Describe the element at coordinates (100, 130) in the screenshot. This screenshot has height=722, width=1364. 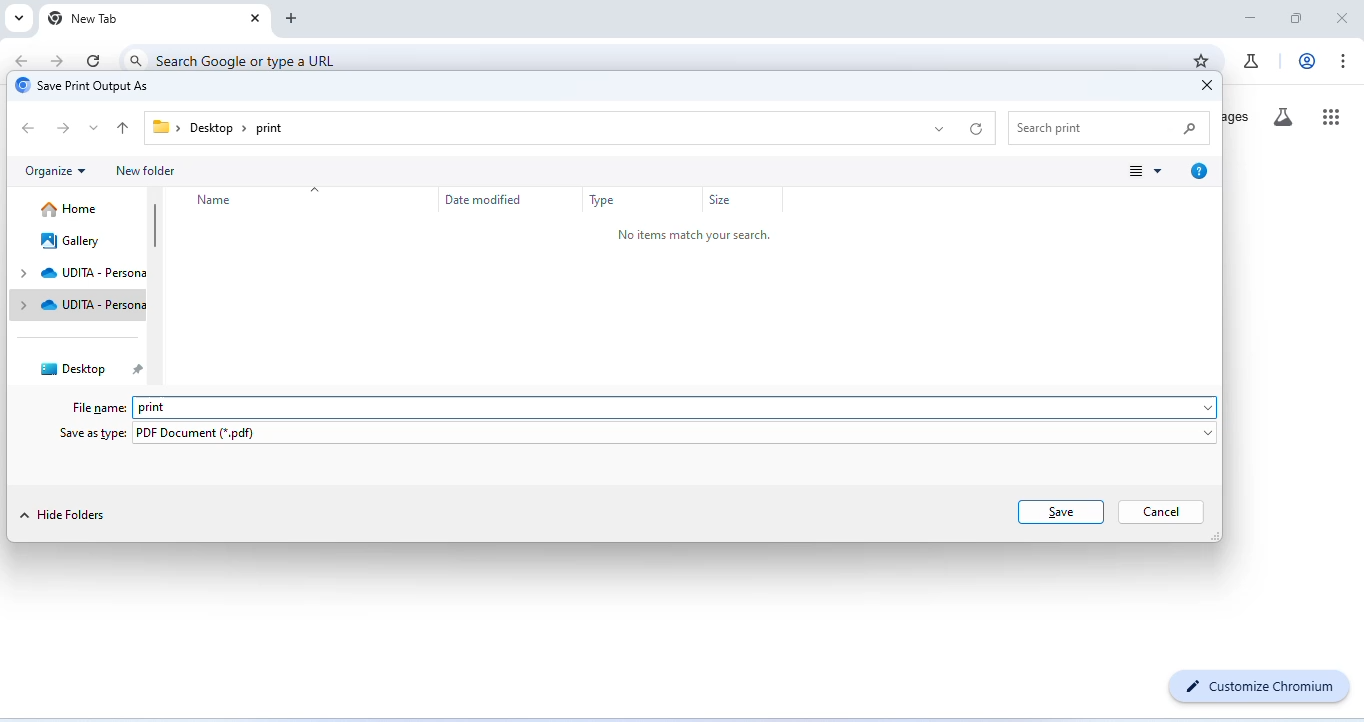
I see `drop down` at that location.